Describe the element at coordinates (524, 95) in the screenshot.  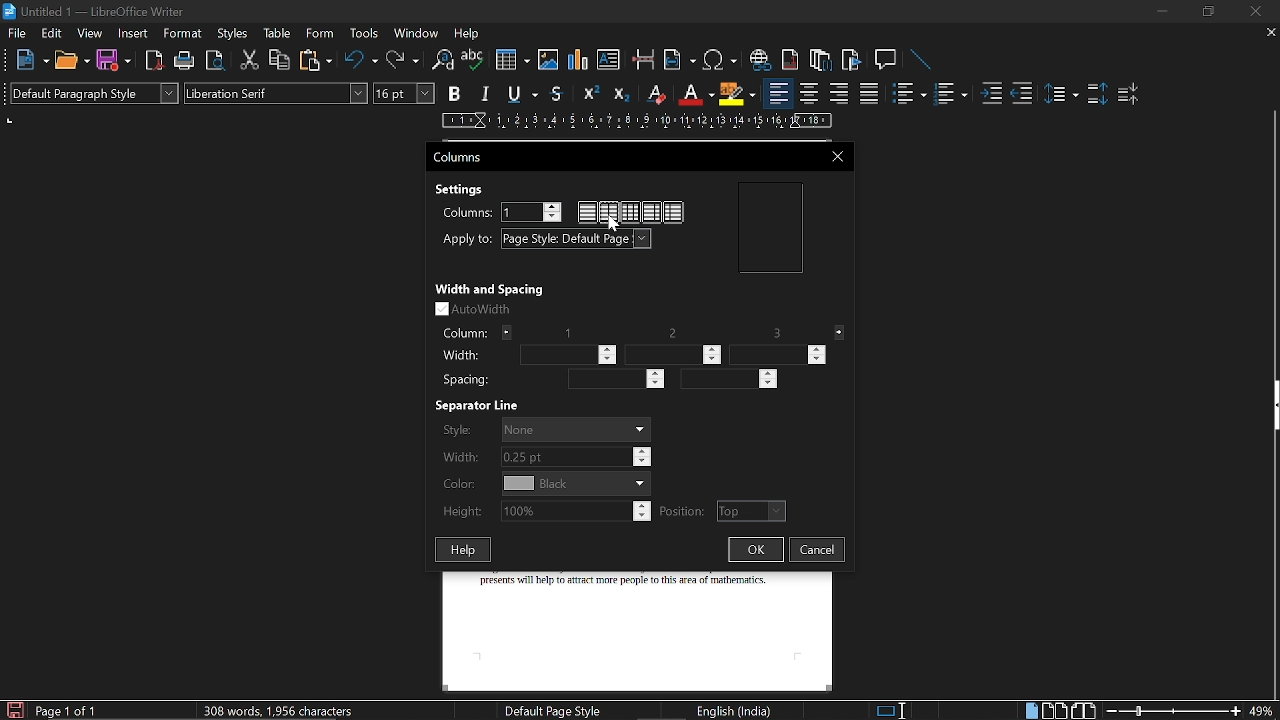
I see `Underline` at that location.